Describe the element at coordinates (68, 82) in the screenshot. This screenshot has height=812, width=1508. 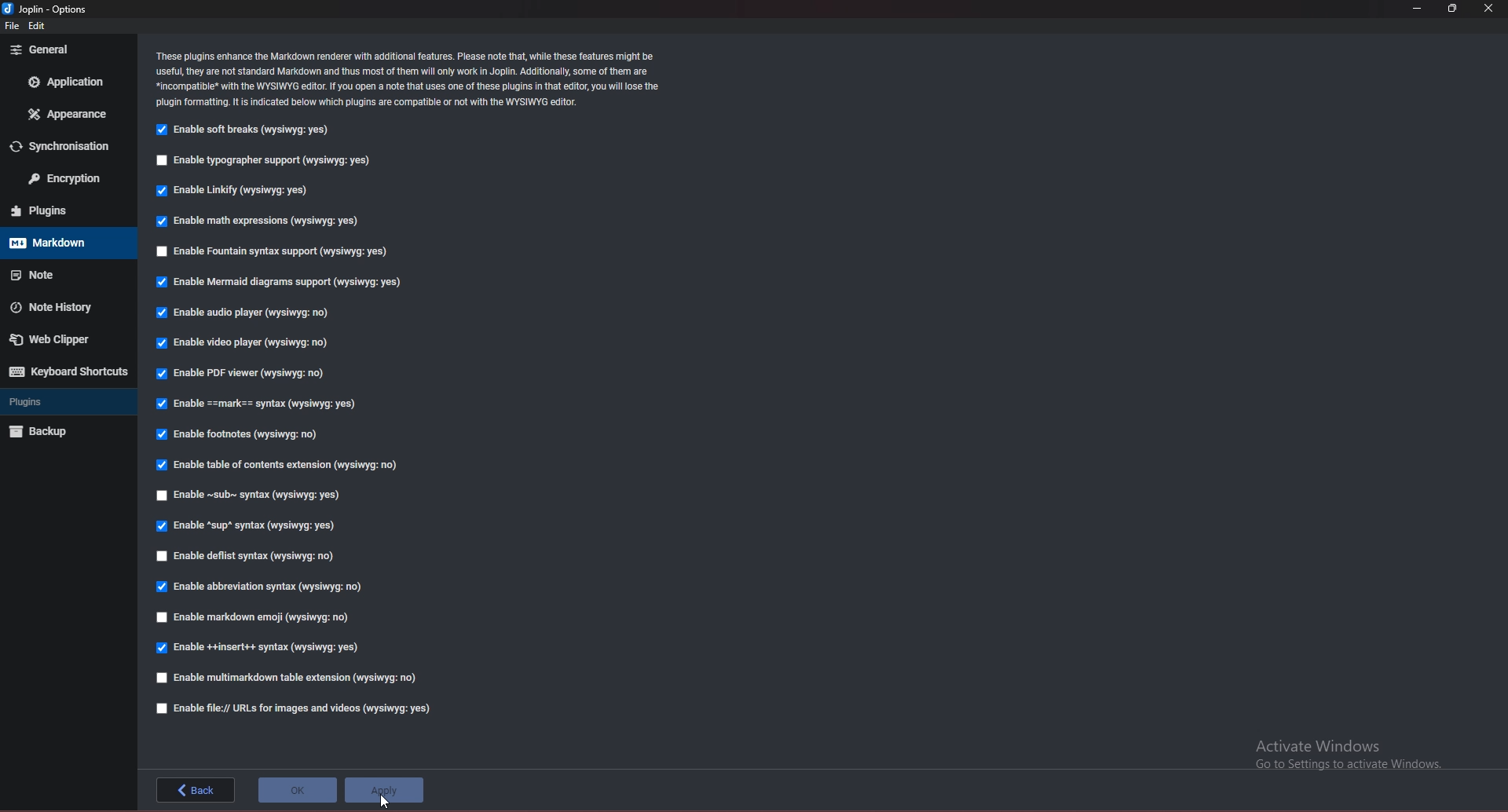
I see `application` at that location.